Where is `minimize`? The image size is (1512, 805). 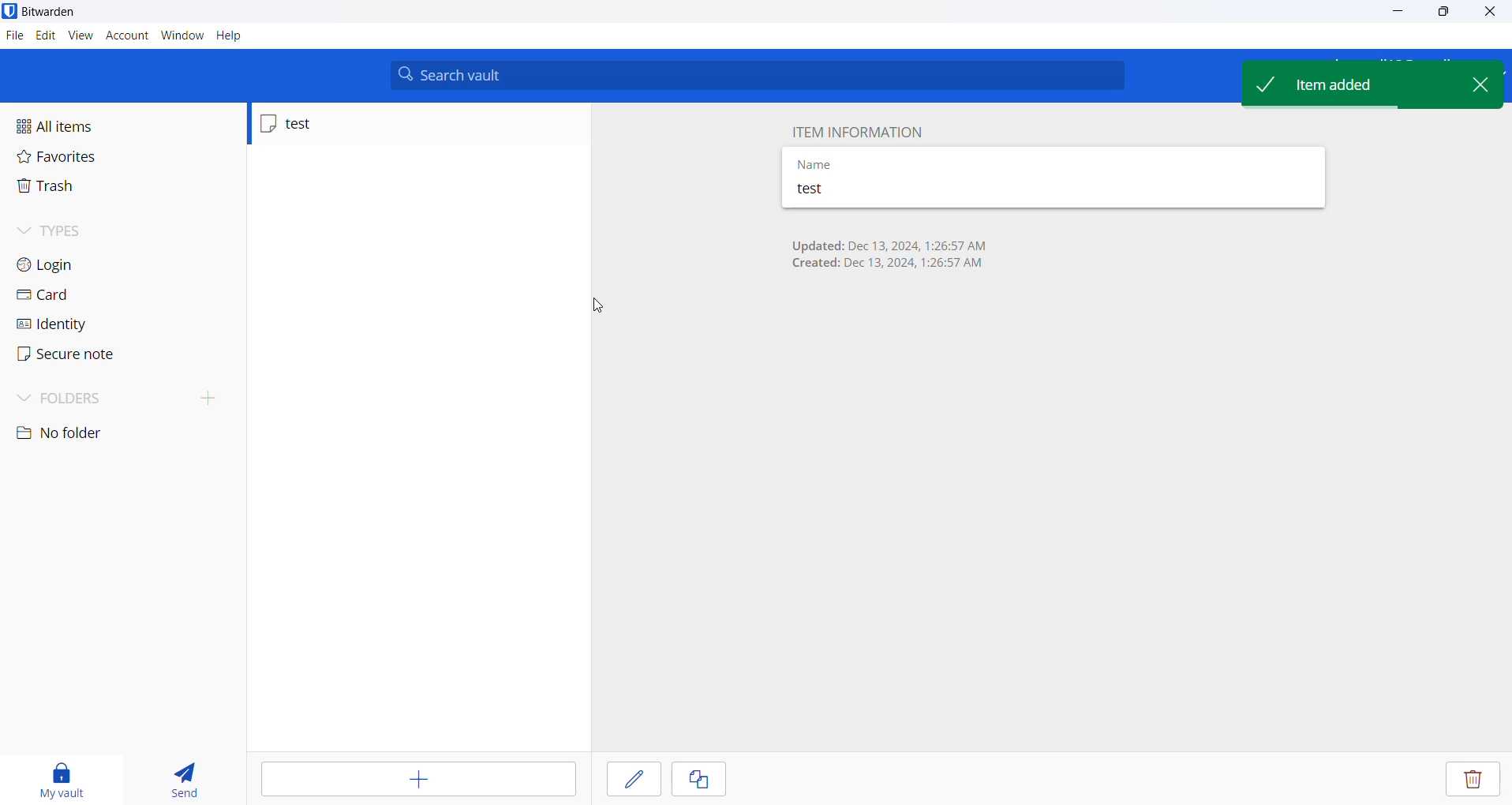
minimize is located at coordinates (1400, 12).